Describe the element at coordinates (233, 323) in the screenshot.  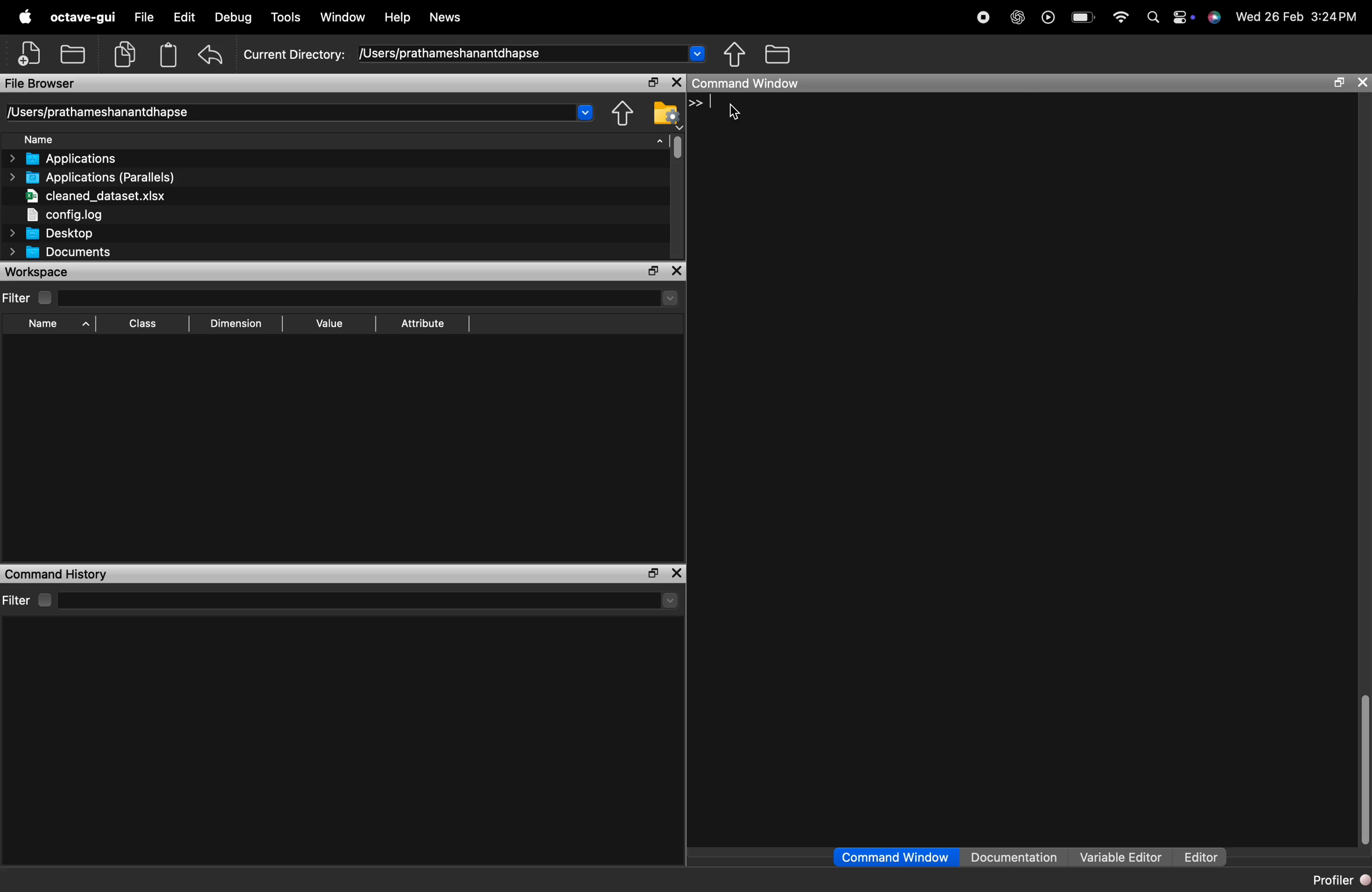
I see `Dimension` at that location.